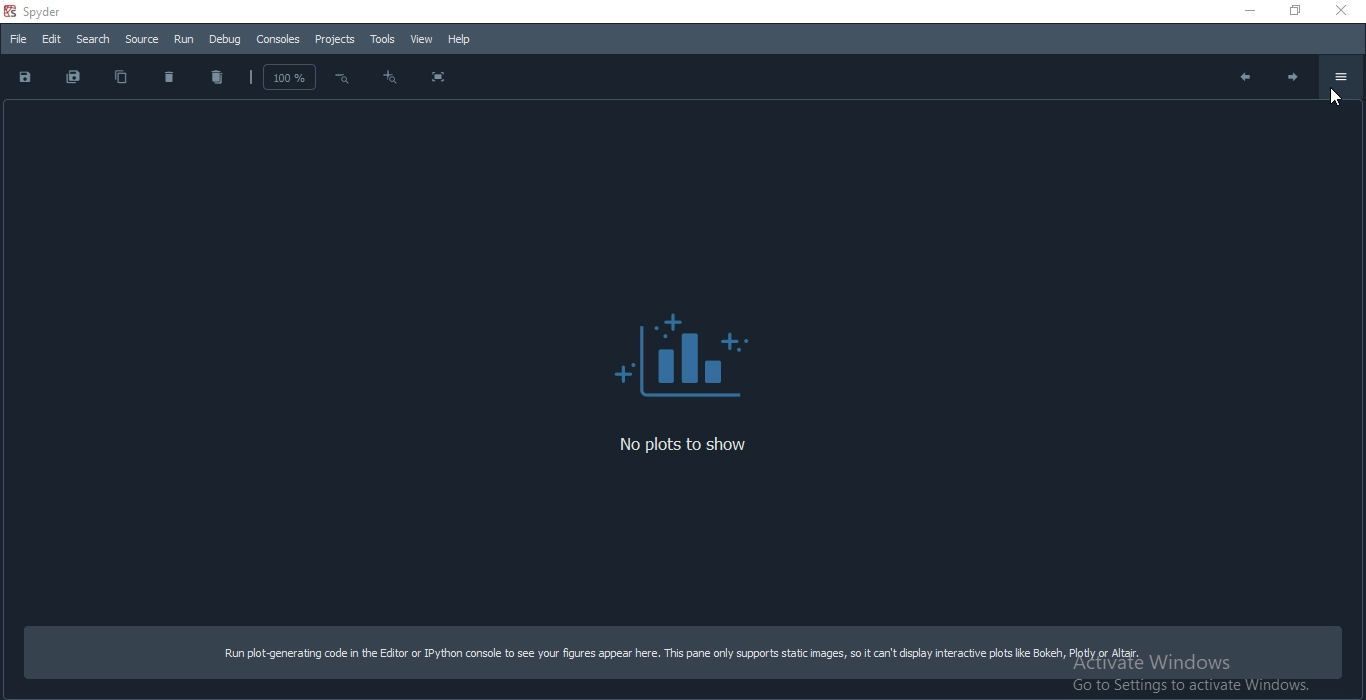 The image size is (1366, 700). Describe the element at coordinates (121, 77) in the screenshot. I see `Copy` at that location.